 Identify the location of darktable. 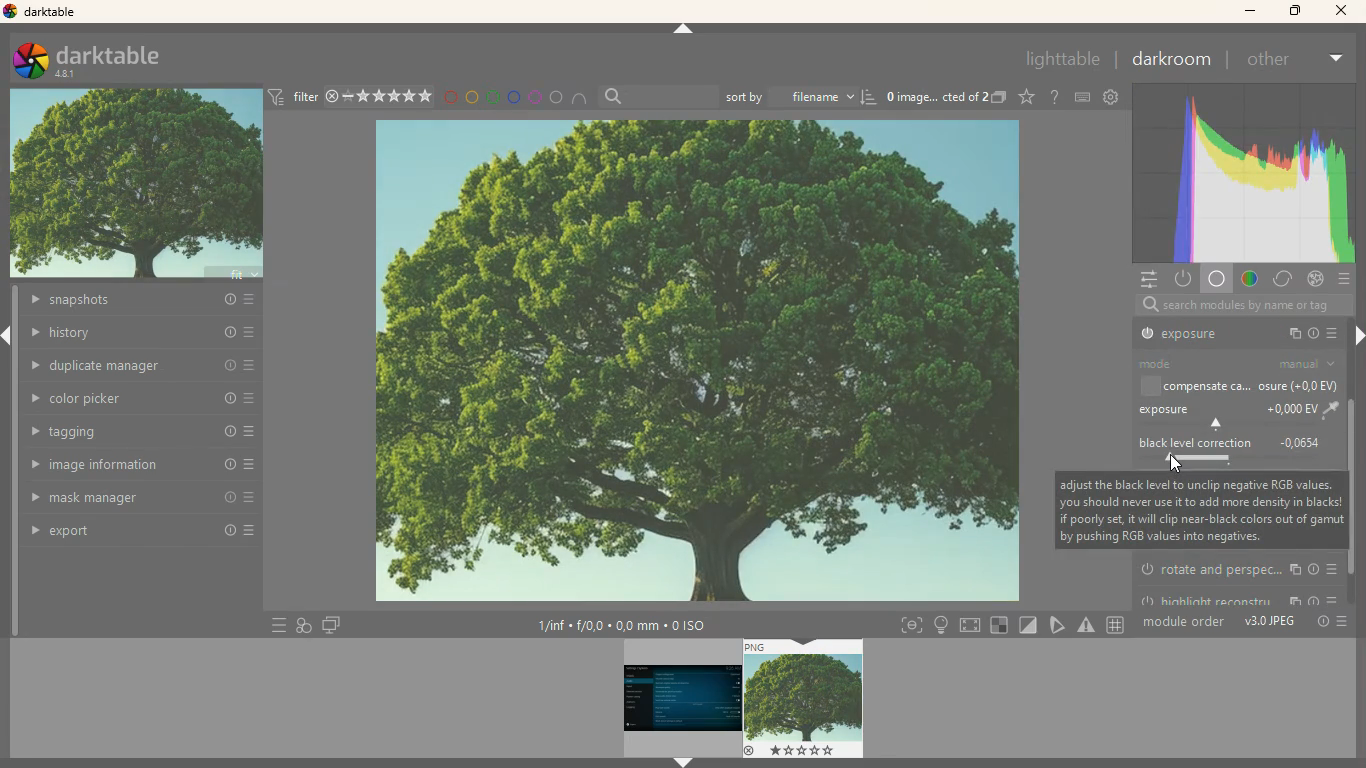
(98, 60).